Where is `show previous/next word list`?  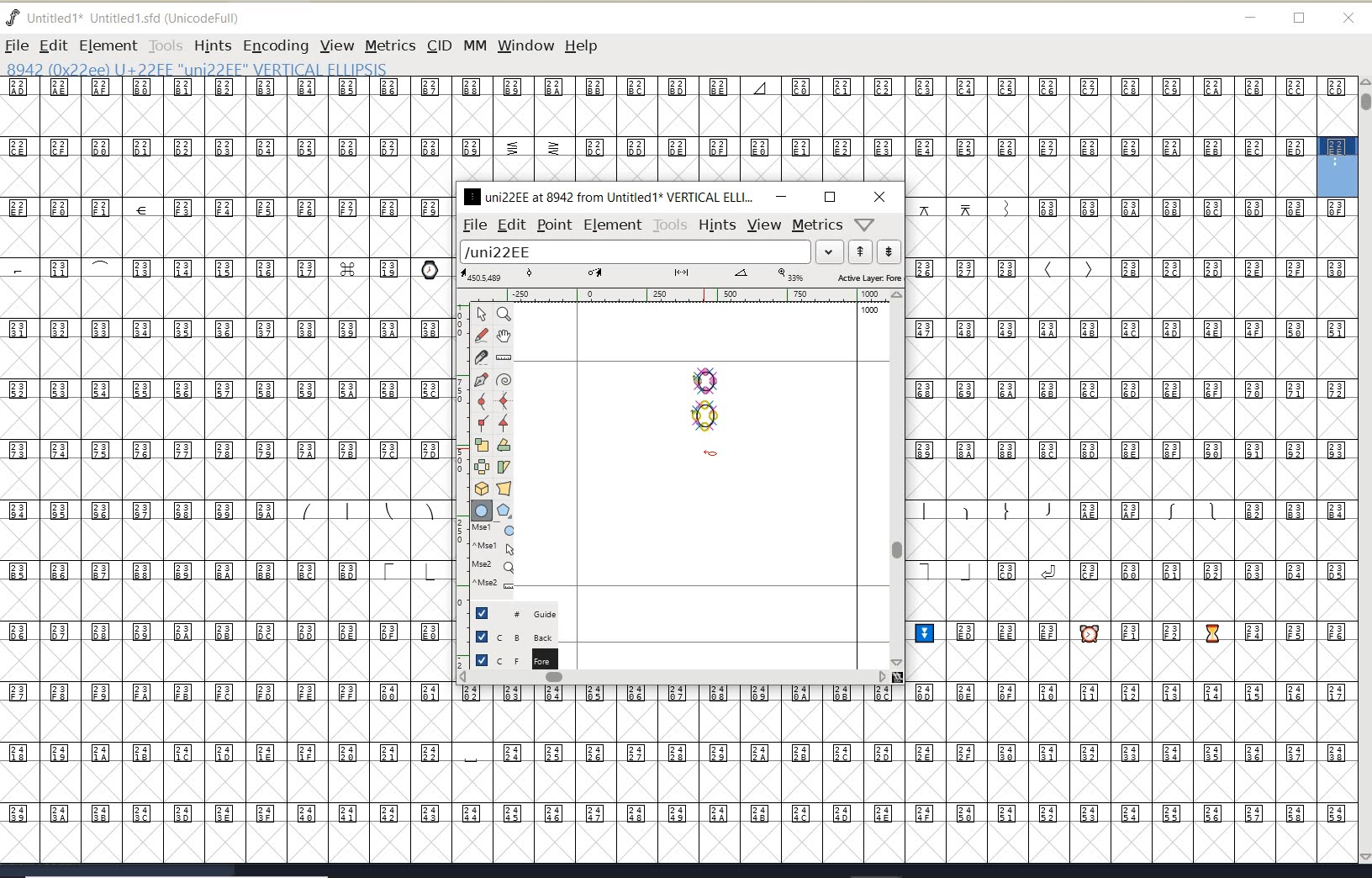 show previous/next word list is located at coordinates (876, 253).